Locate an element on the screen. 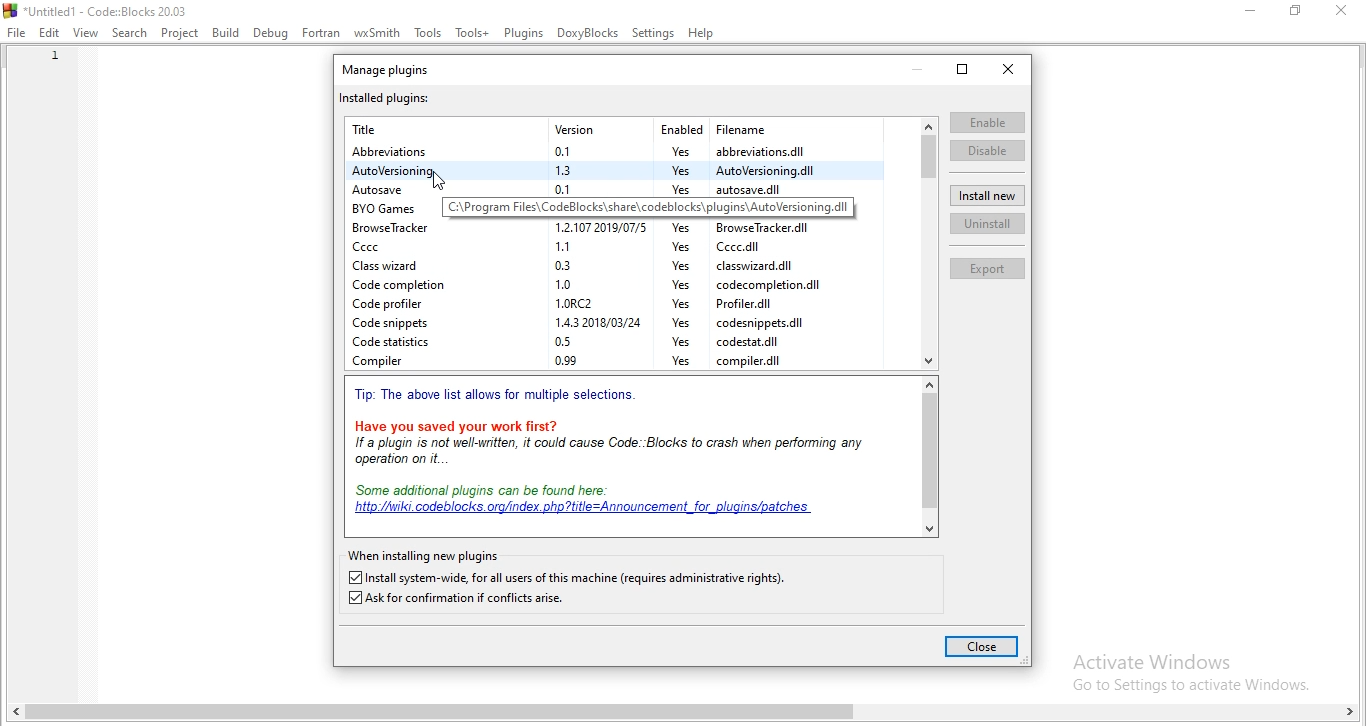 This screenshot has height=726, width=1366. Abbreviations 0.1 Yes abbreviations.dll is located at coordinates (604, 152).